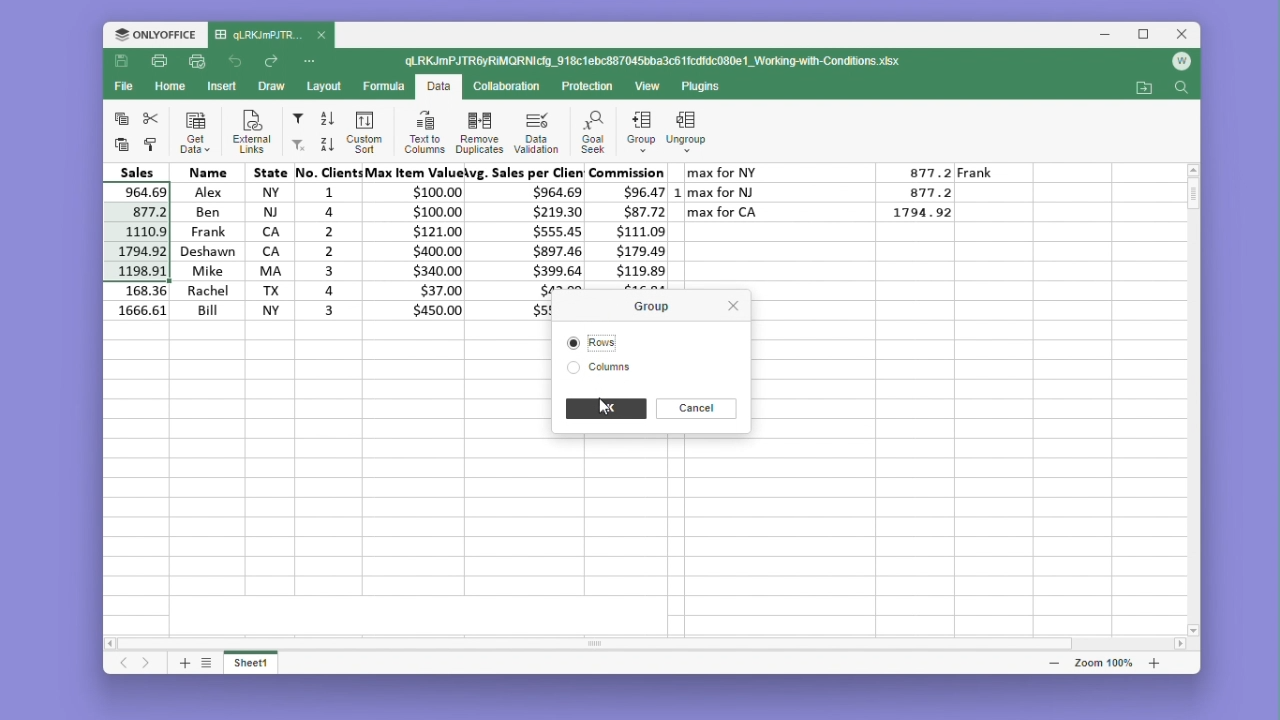 The width and height of the screenshot is (1280, 720). What do you see at coordinates (421, 250) in the screenshot?
I see `Data` at bounding box center [421, 250].